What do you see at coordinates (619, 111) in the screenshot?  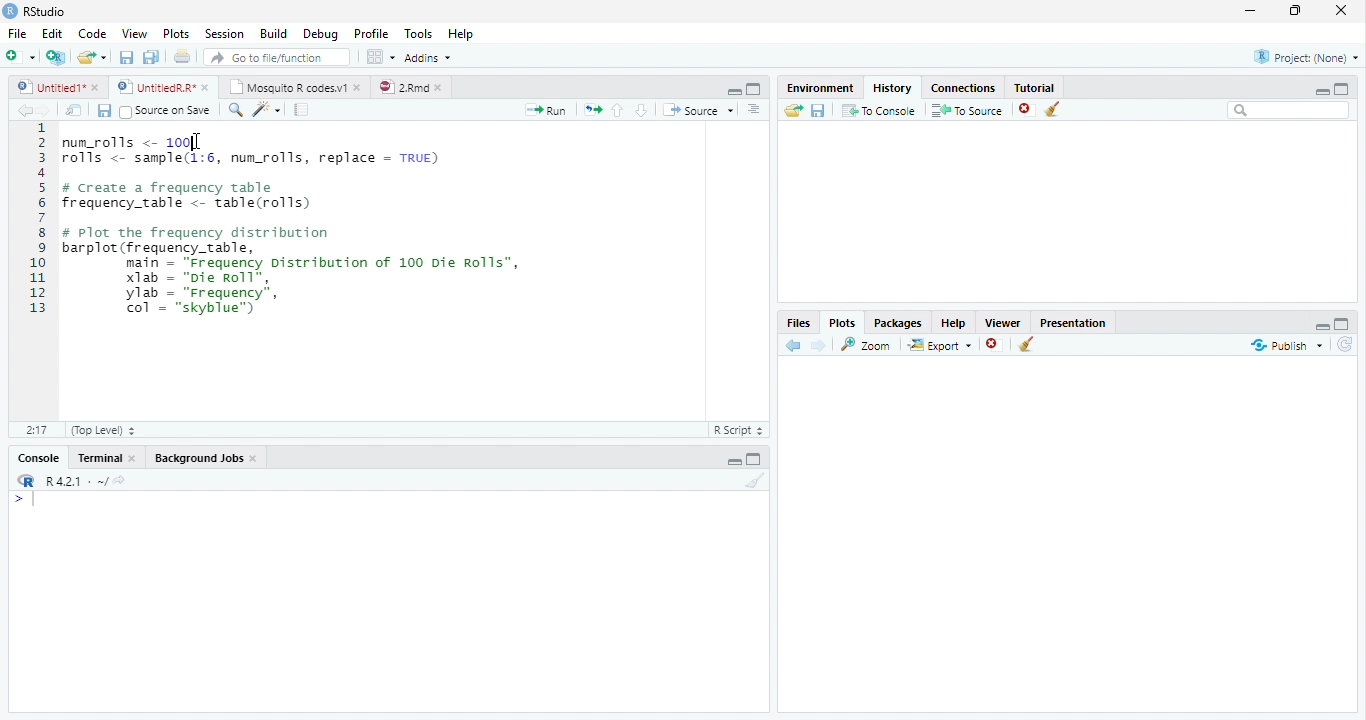 I see `Go to previous section of code` at bounding box center [619, 111].